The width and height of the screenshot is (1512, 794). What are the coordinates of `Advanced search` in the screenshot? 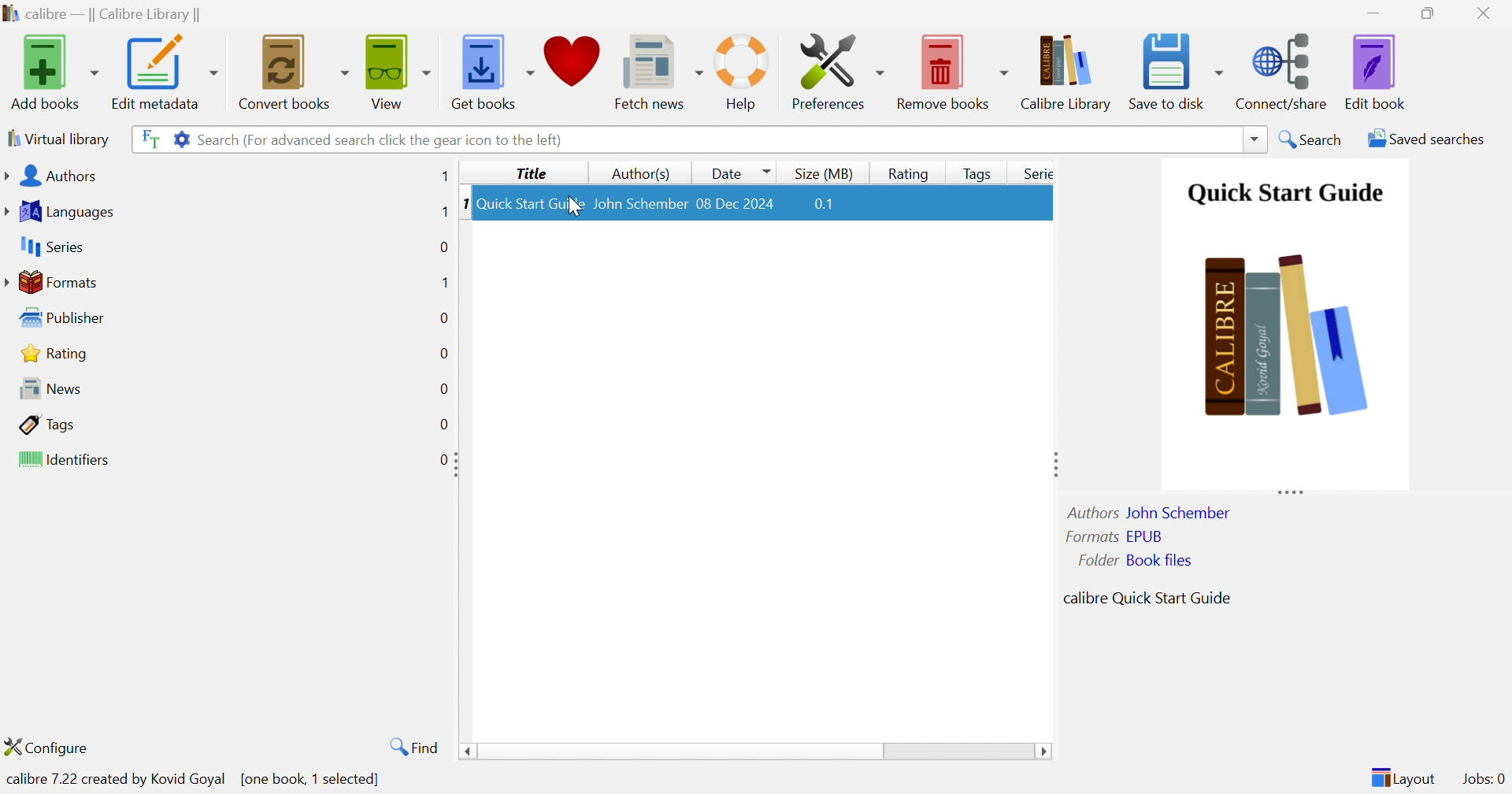 It's located at (177, 139).